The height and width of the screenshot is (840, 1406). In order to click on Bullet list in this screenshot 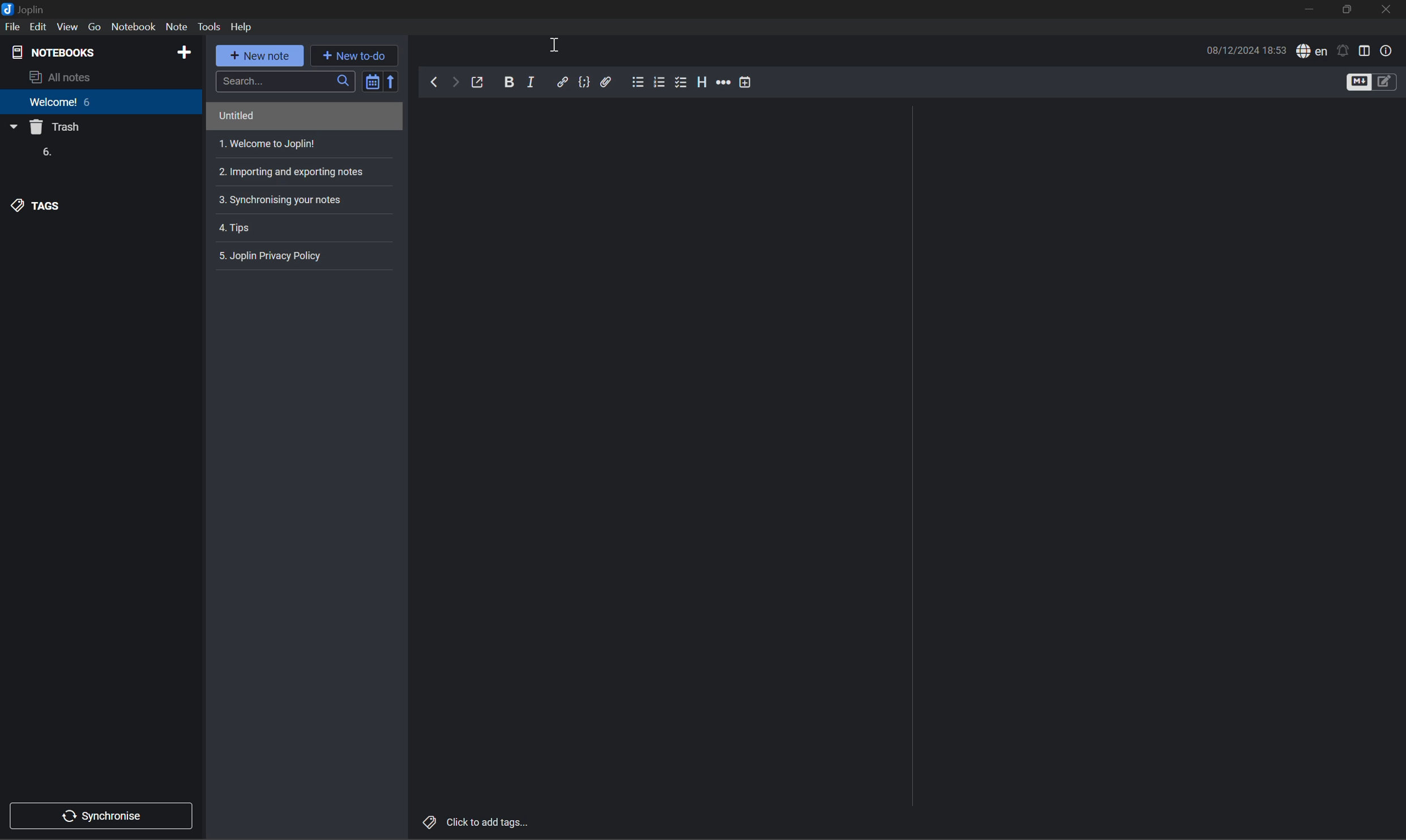, I will do `click(638, 80)`.